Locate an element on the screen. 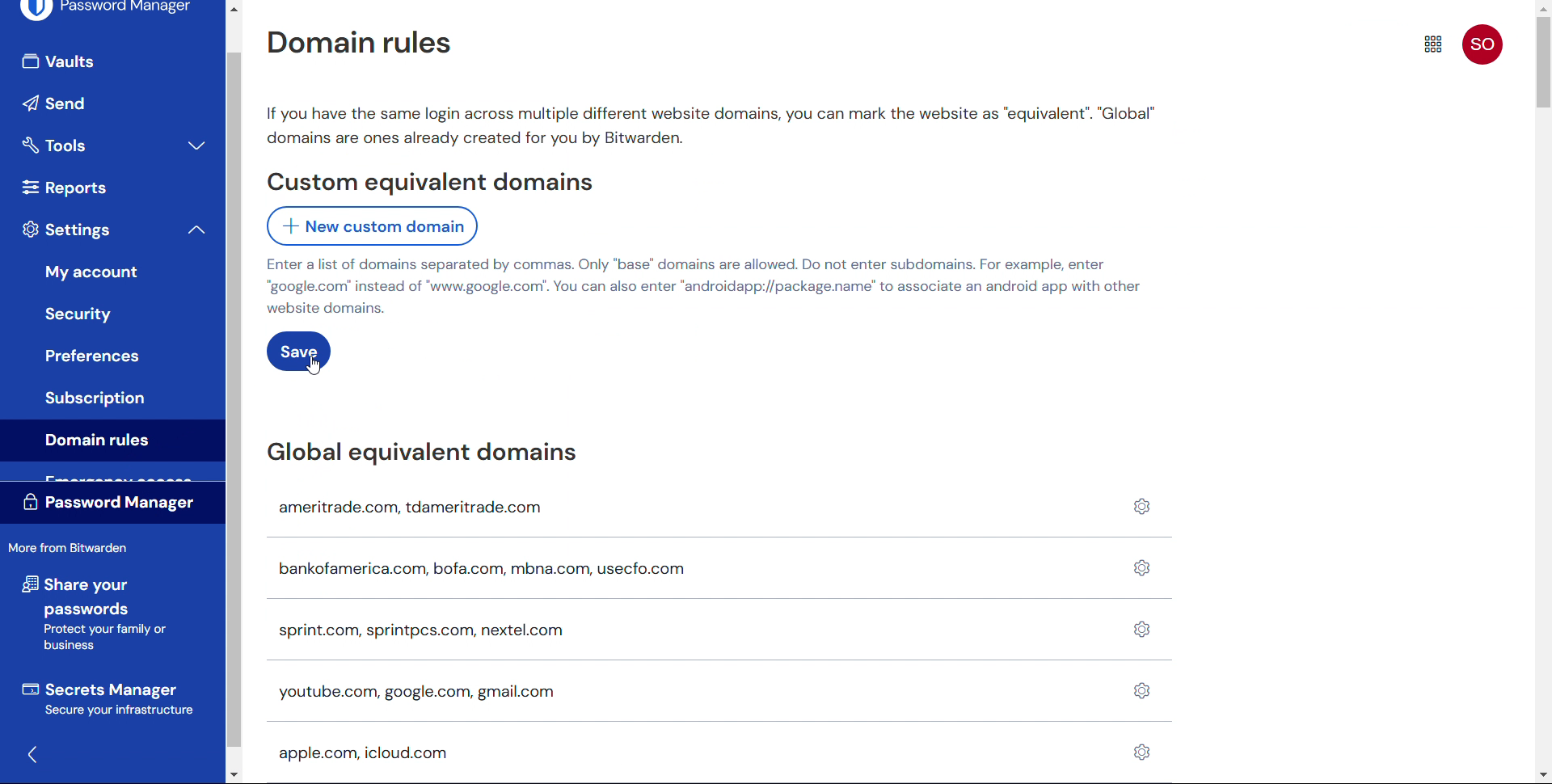  account  is located at coordinates (1483, 44).